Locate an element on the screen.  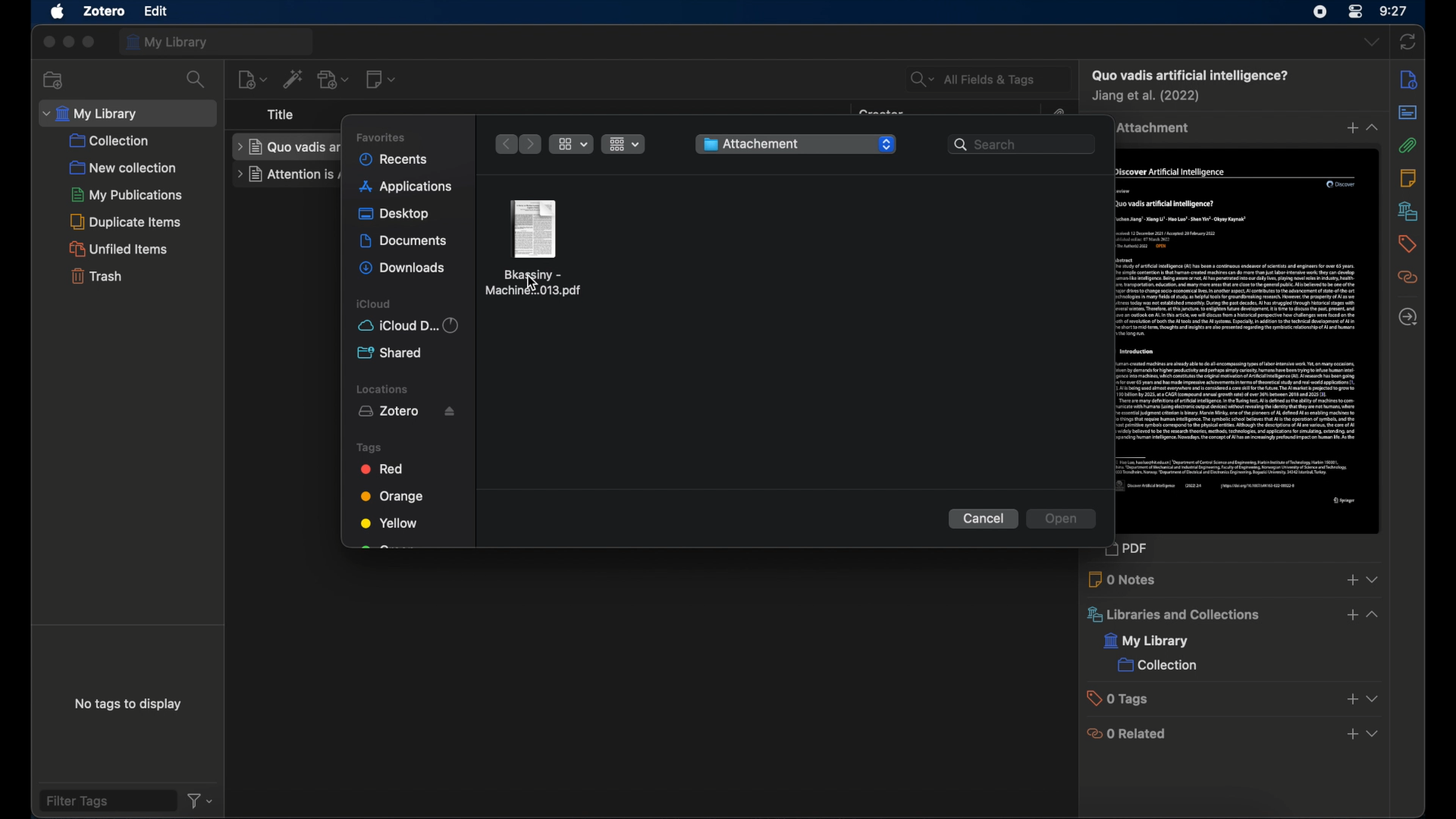
all fields and tags is located at coordinates (987, 78).